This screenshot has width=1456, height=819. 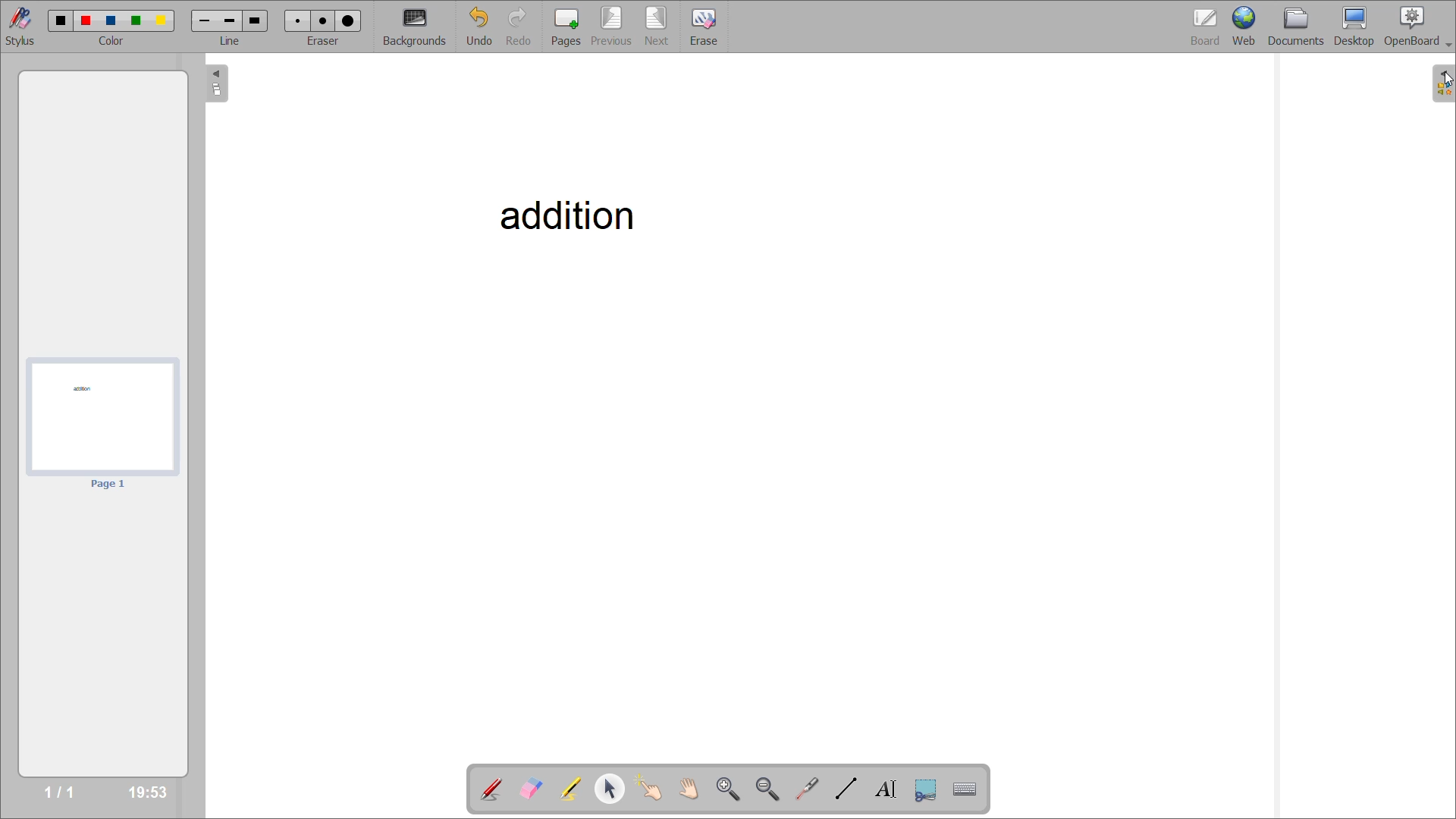 What do you see at coordinates (18, 24) in the screenshot?
I see `stylus` at bounding box center [18, 24].